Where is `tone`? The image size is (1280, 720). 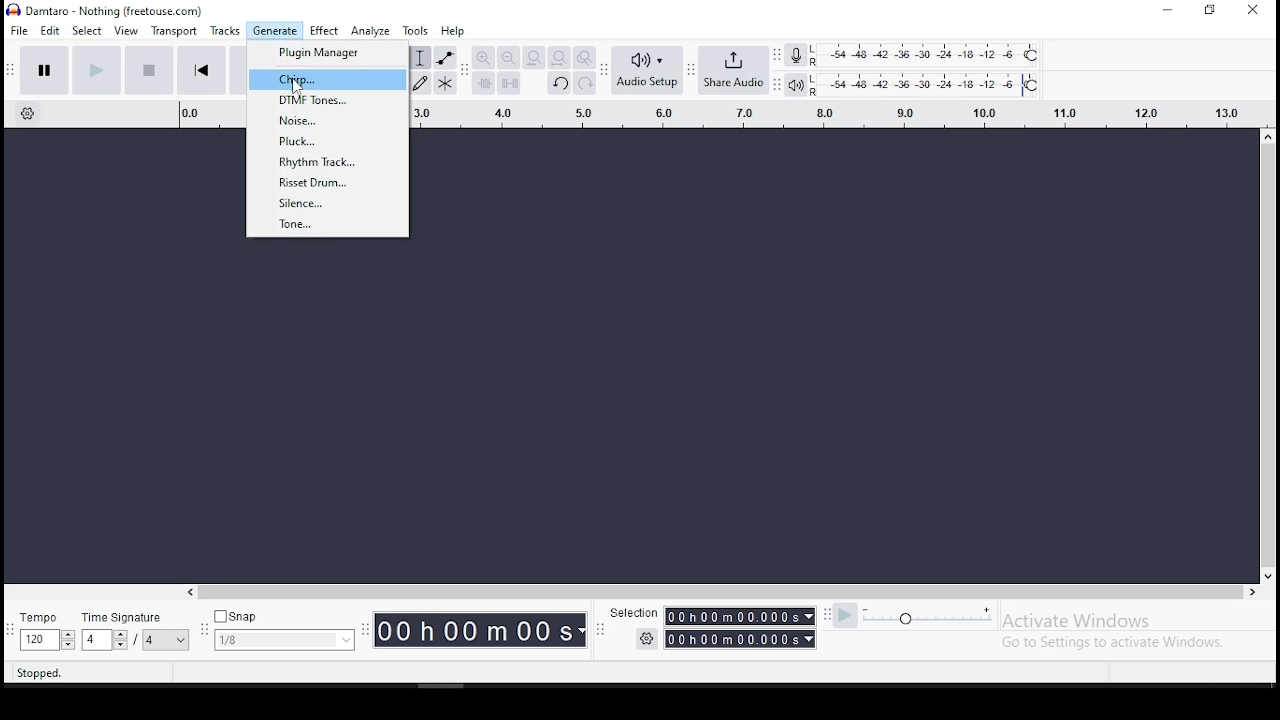
tone is located at coordinates (331, 223).